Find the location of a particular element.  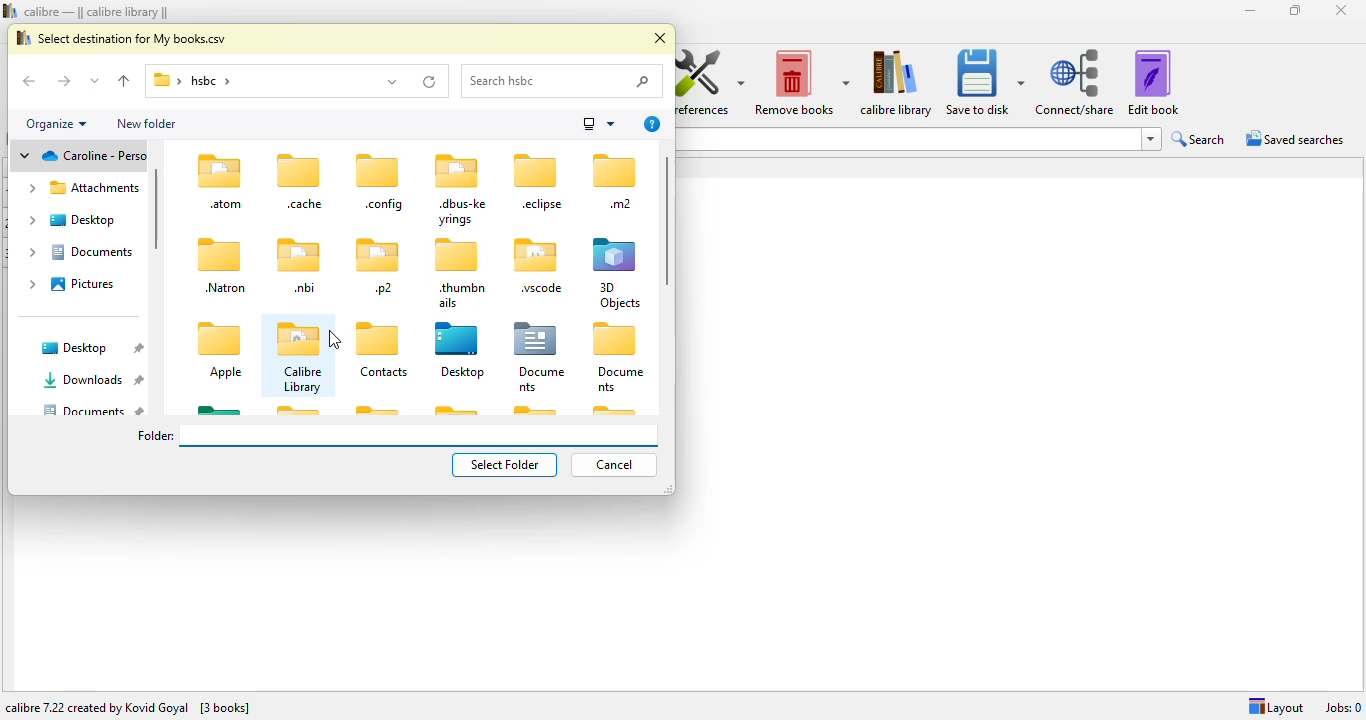

save to disk is located at coordinates (984, 82).